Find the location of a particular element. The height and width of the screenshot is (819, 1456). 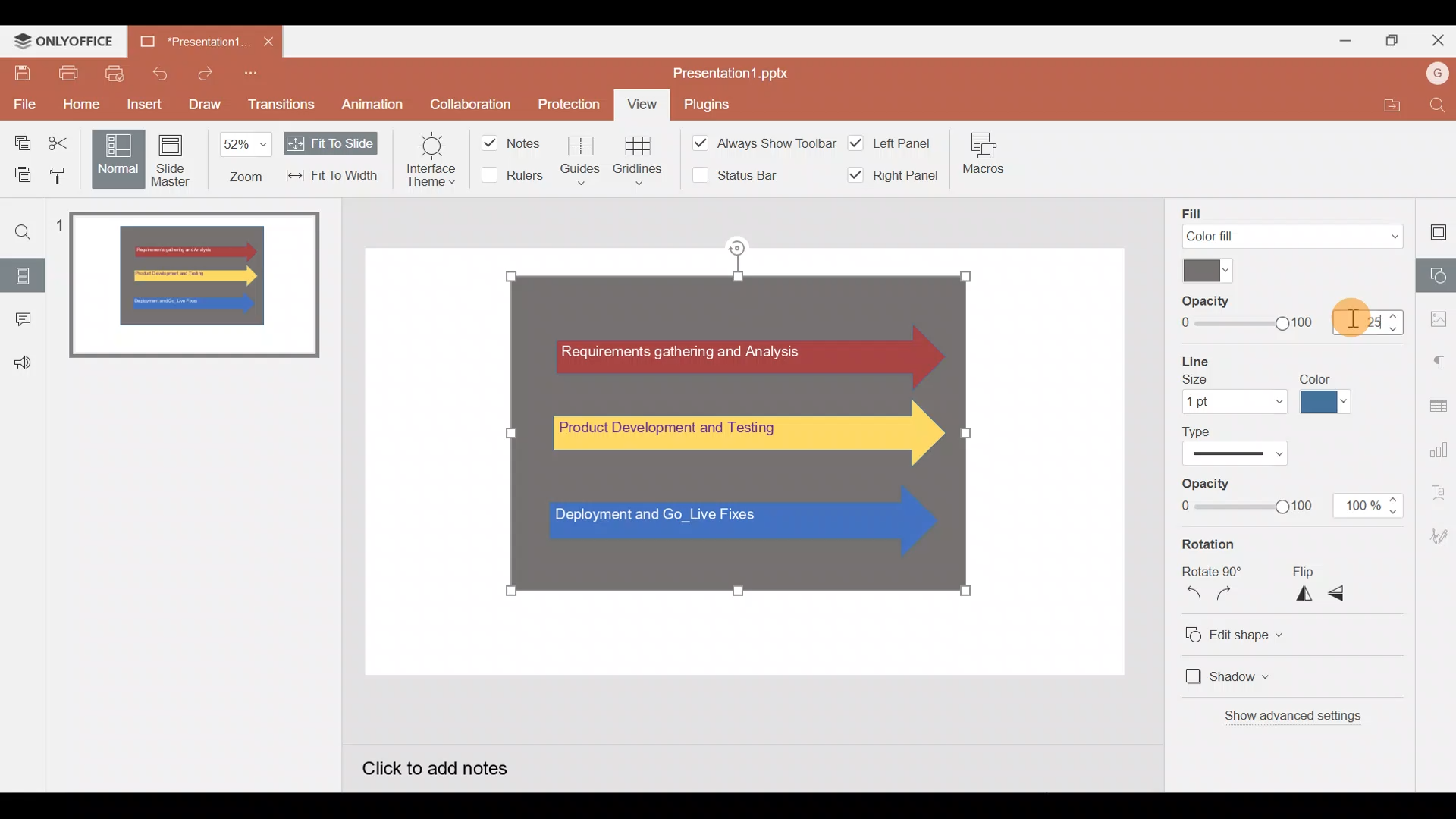

Customise quick access toolbar is located at coordinates (251, 73).